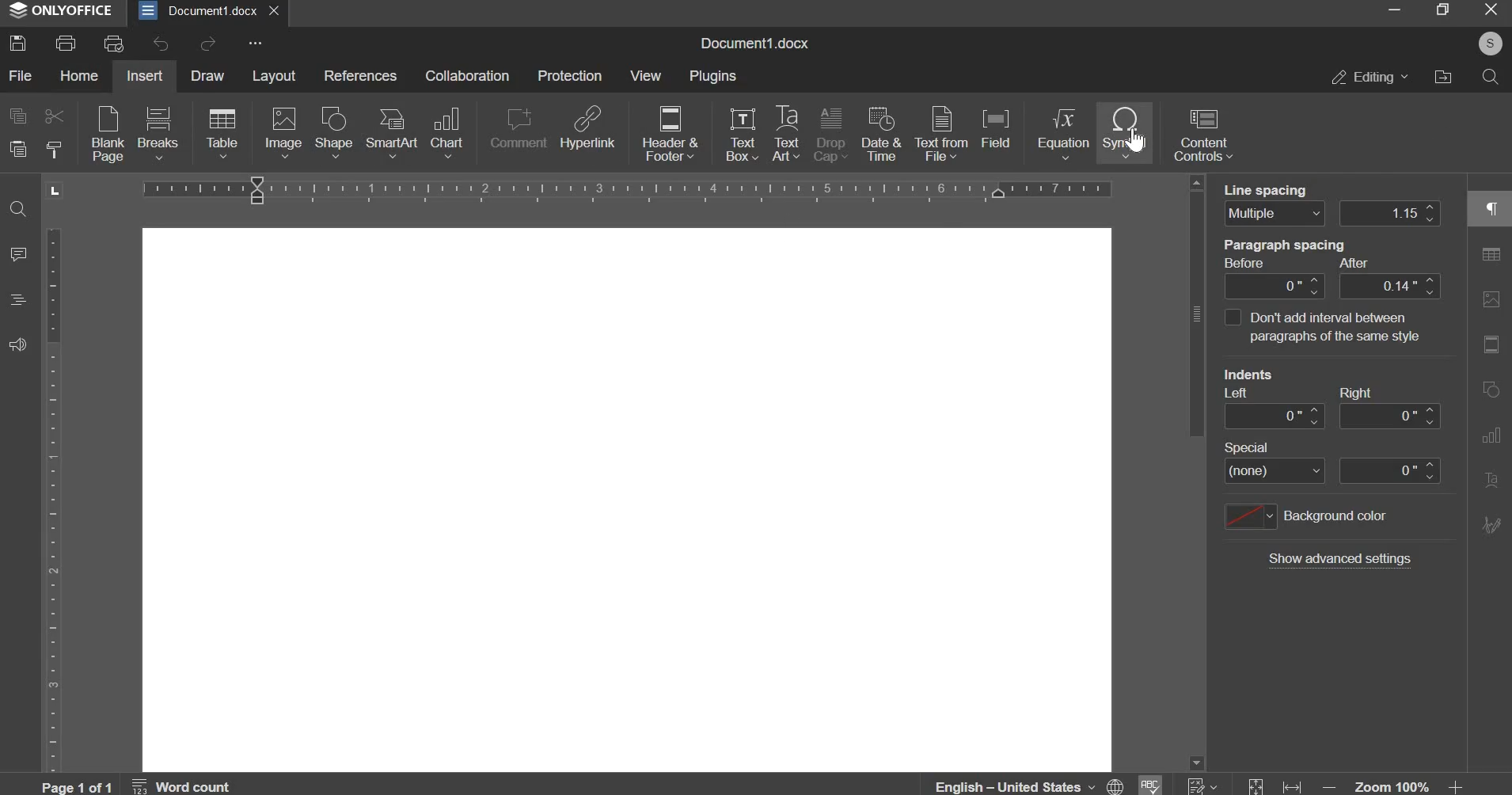 The height and width of the screenshot is (795, 1512). I want to click on insert, so click(144, 74).